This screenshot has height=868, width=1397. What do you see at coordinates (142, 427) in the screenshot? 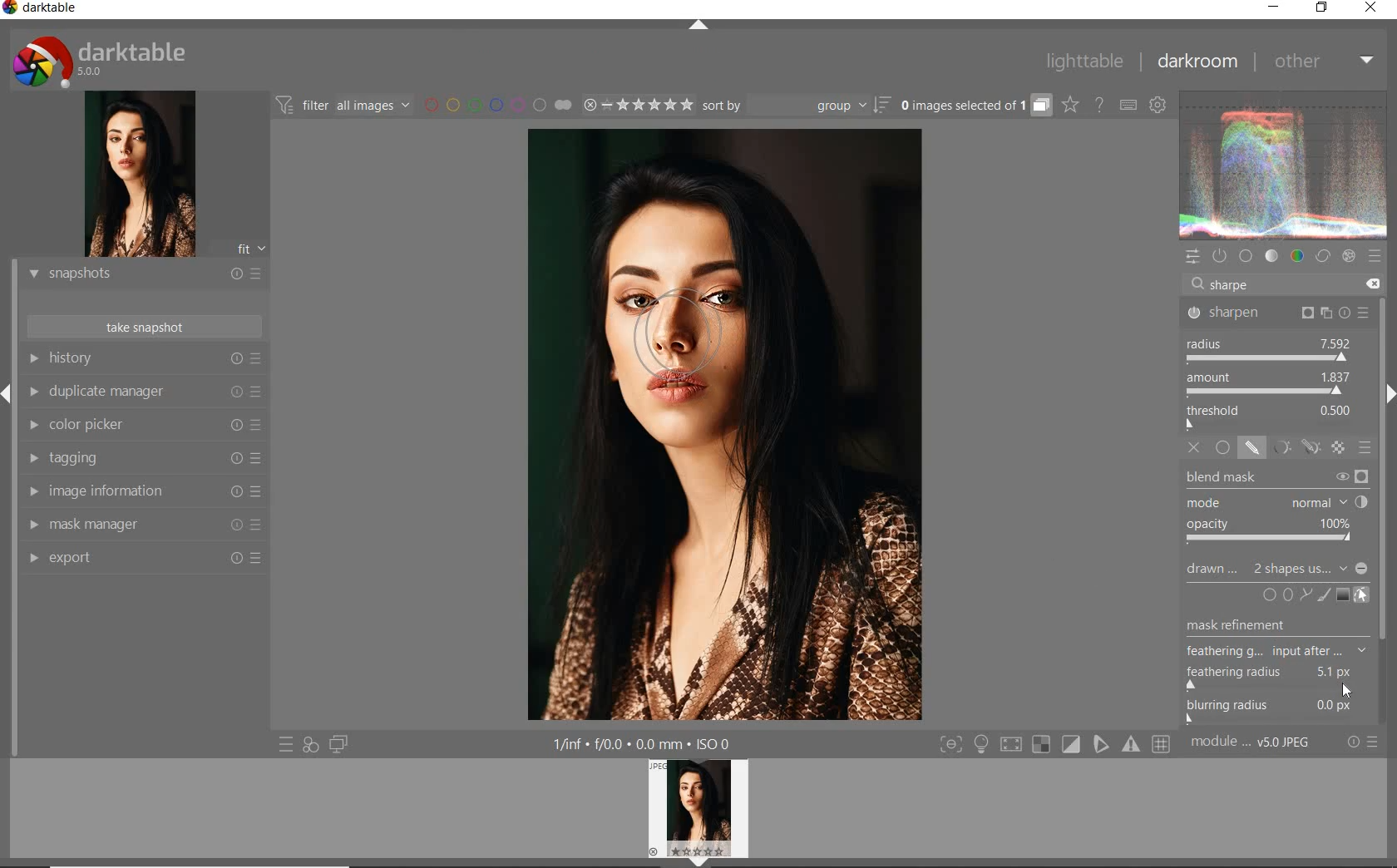
I see `COLOR PICKER` at bounding box center [142, 427].